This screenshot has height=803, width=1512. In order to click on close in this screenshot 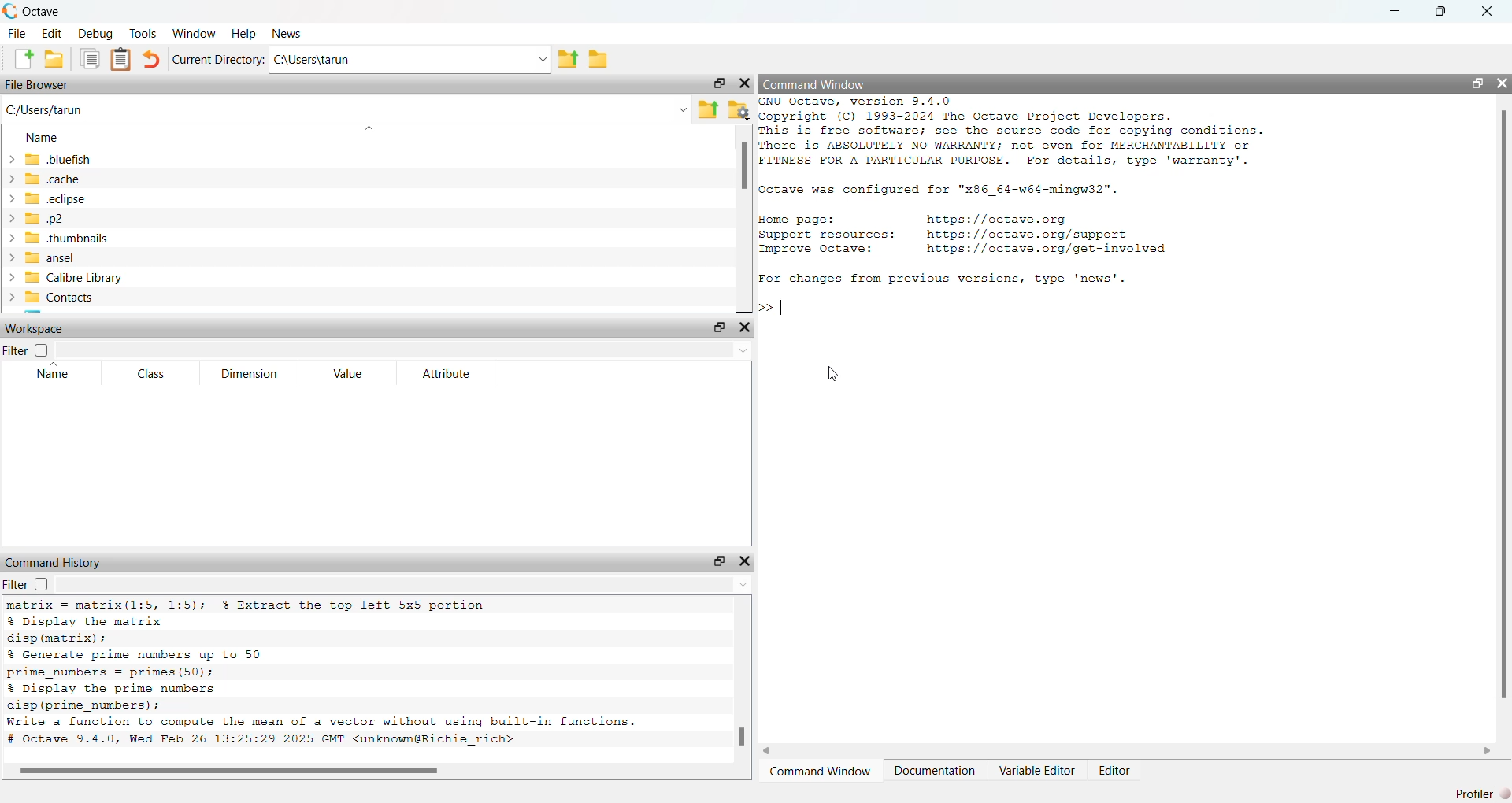, I will do `click(1502, 83)`.